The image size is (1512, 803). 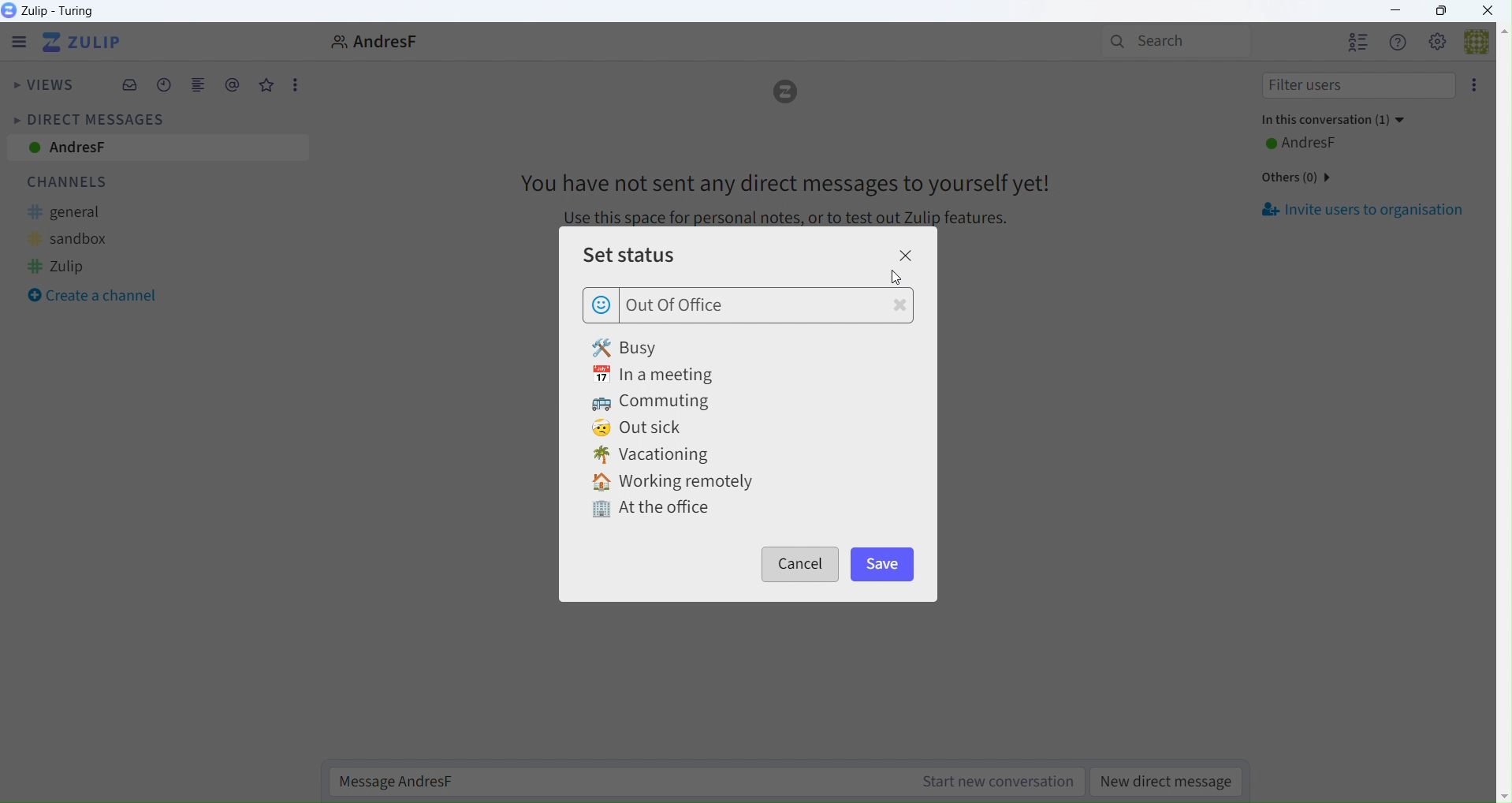 I want to click on Working remotely, so click(x=679, y=480).